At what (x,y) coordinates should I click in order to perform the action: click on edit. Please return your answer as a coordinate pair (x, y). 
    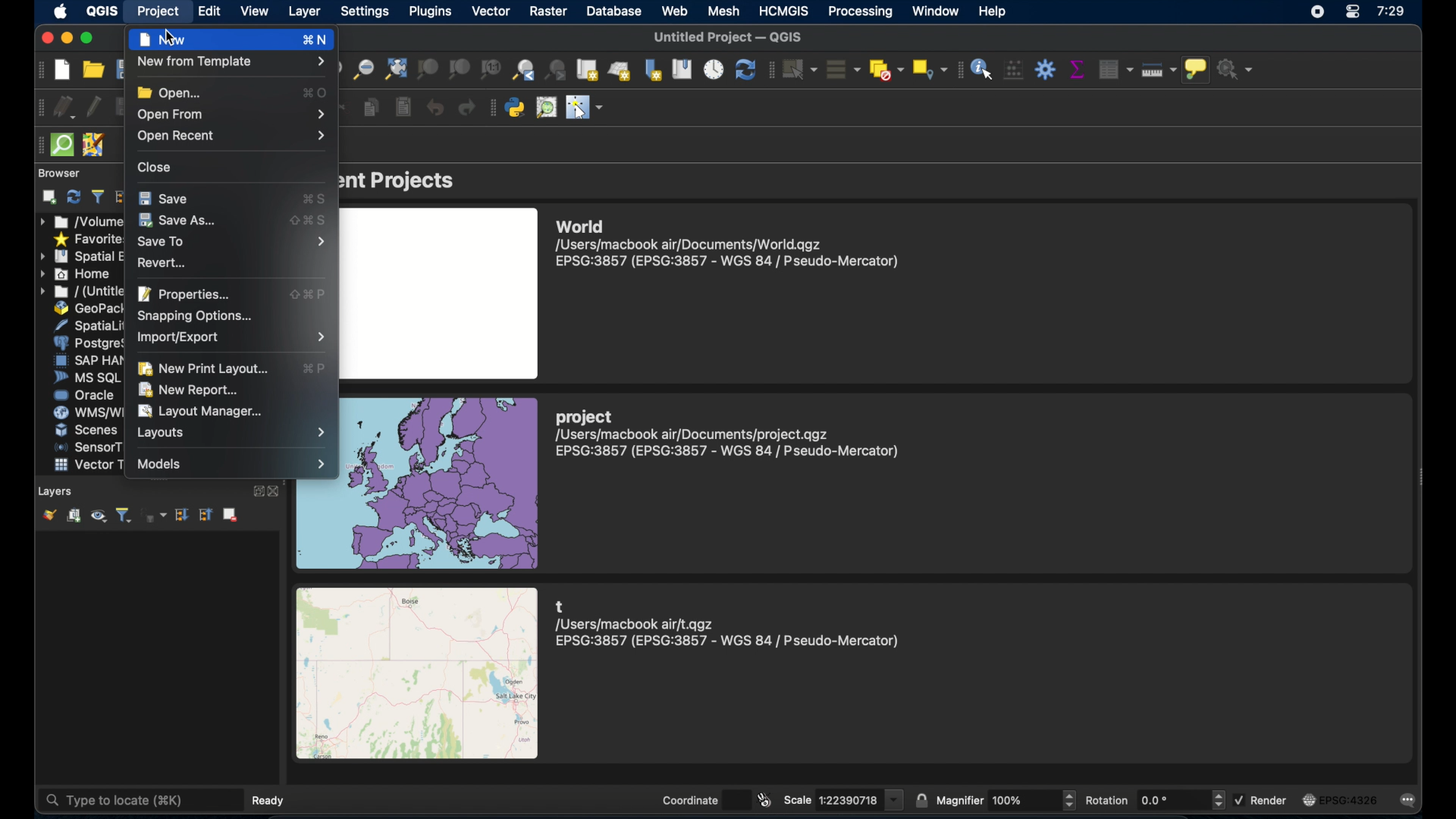
    Looking at the image, I should click on (209, 12).